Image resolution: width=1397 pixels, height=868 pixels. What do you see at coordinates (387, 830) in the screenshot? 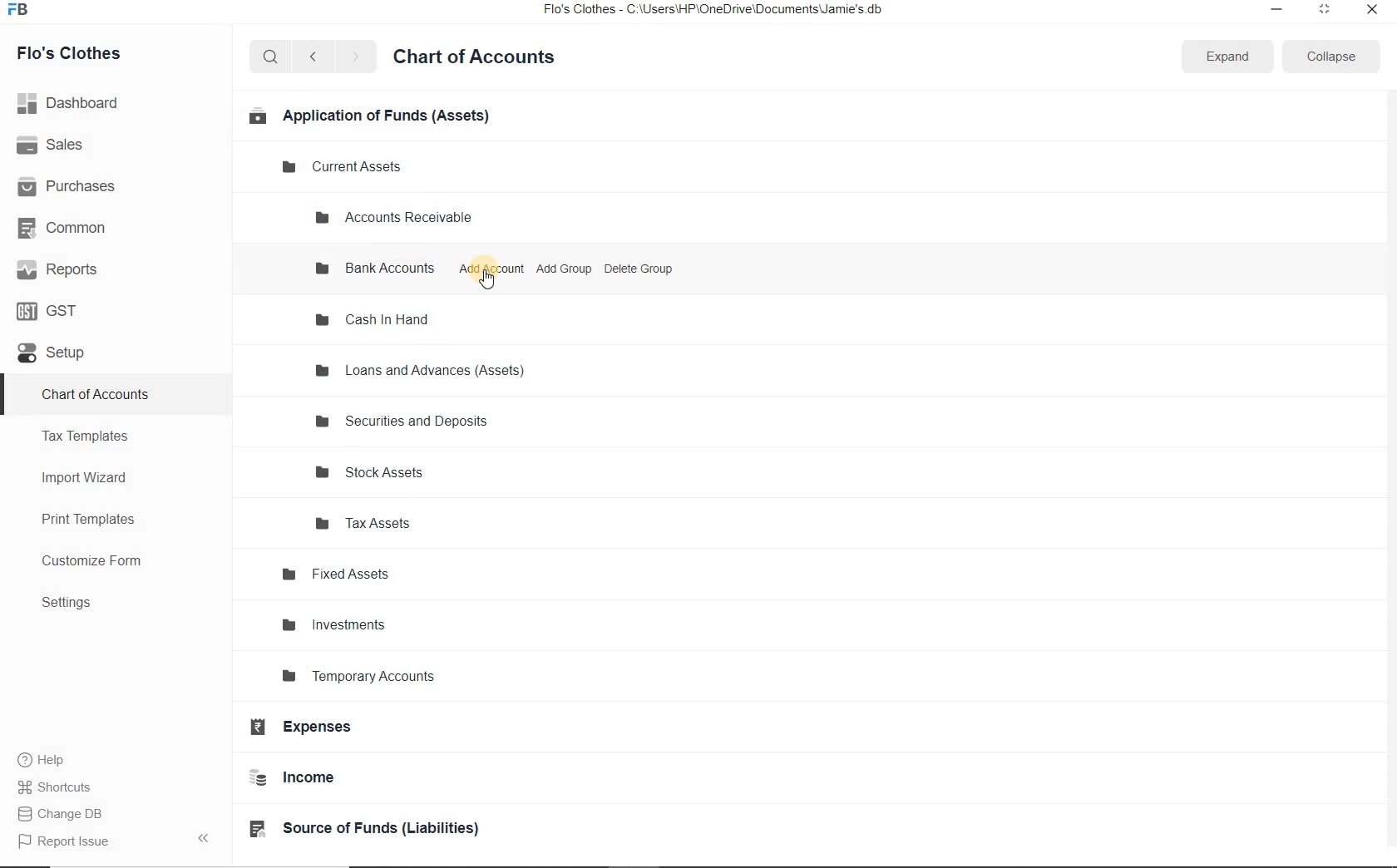
I see `Source of Funds (Liabilities)` at bounding box center [387, 830].